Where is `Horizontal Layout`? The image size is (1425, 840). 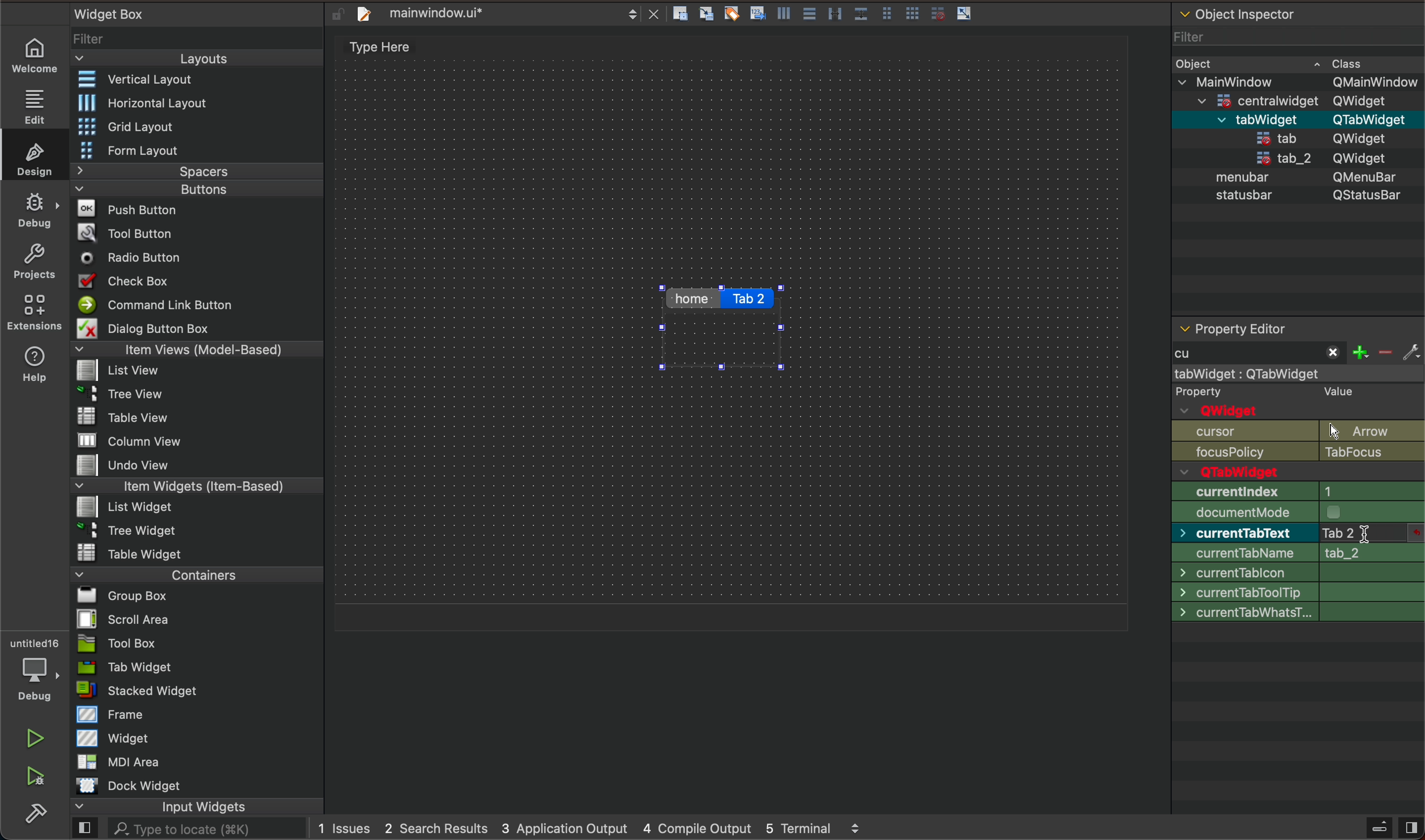 Horizontal Layout is located at coordinates (134, 104).